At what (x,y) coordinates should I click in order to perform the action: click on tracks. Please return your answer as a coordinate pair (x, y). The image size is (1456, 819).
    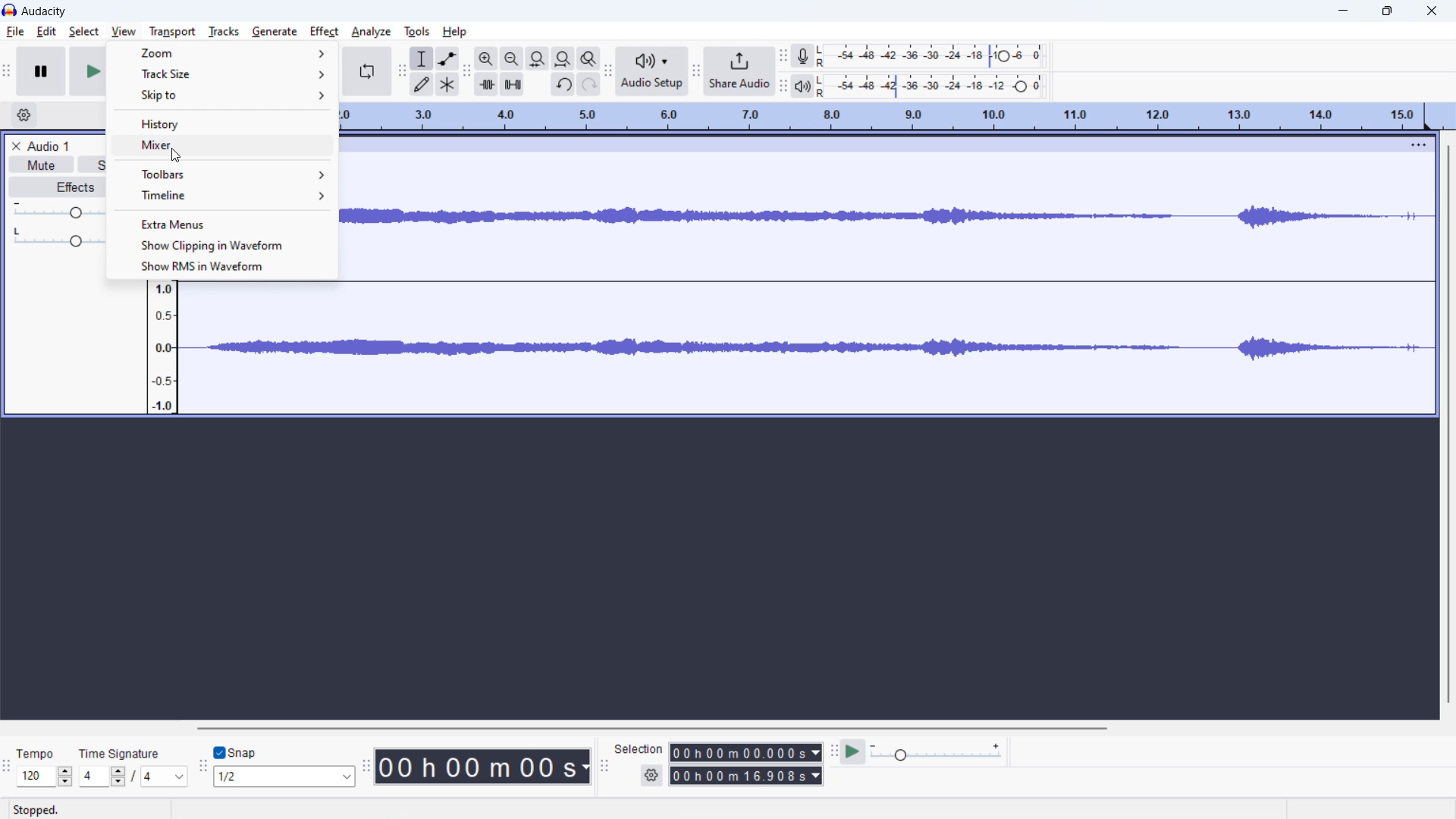
    Looking at the image, I should click on (223, 32).